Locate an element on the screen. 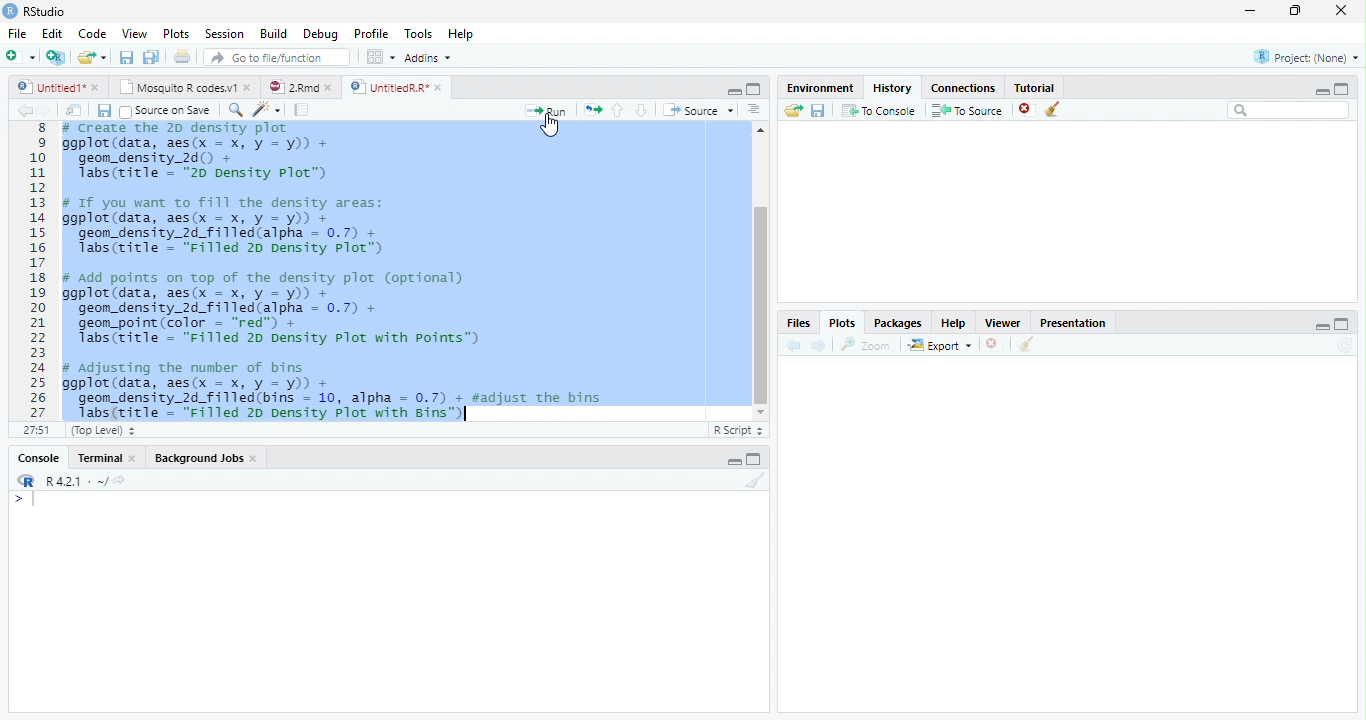 This screenshot has width=1366, height=720. maximize is located at coordinates (756, 459).